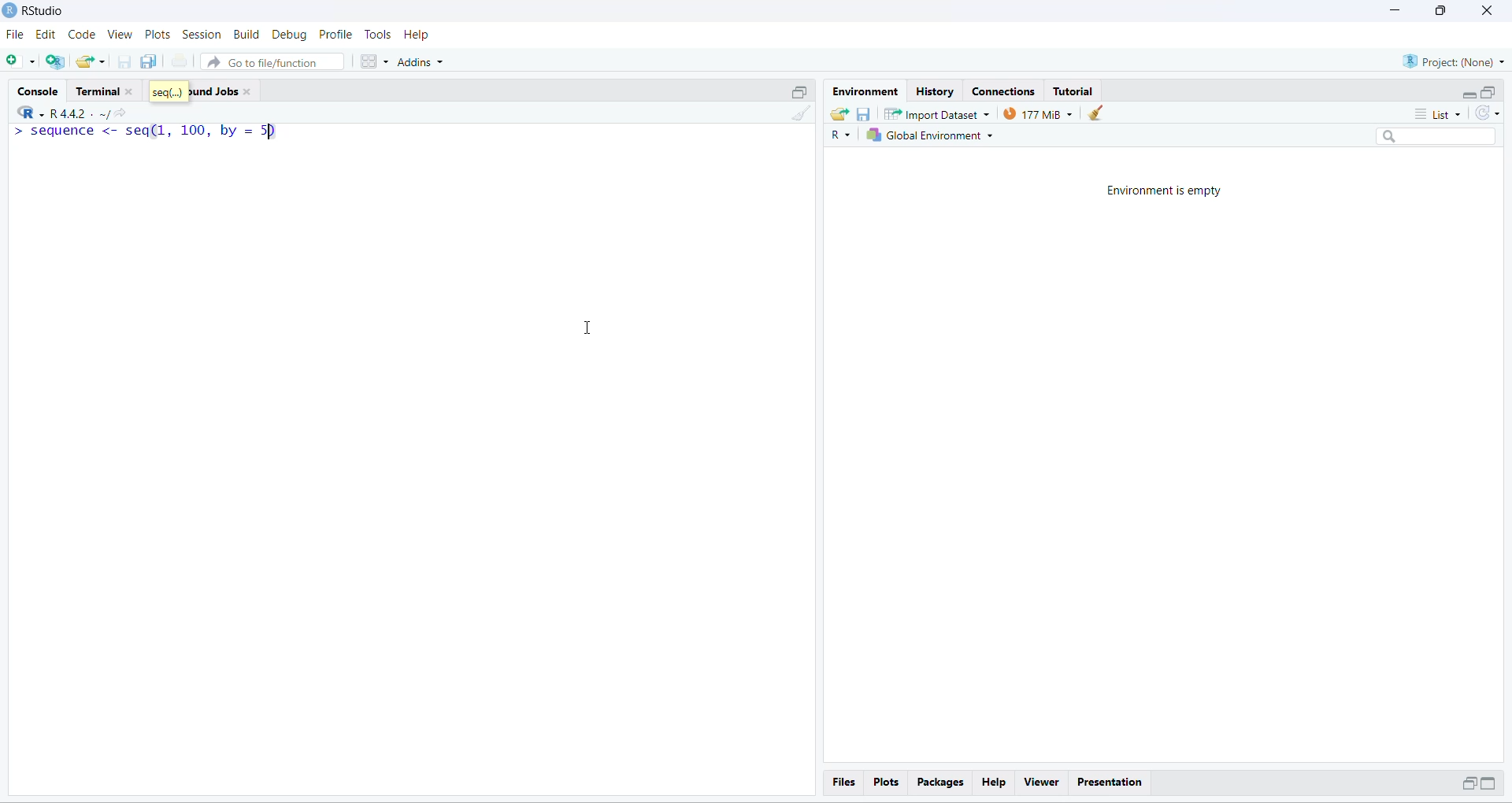 This screenshot has height=803, width=1512. What do you see at coordinates (122, 114) in the screenshot?
I see `share icon` at bounding box center [122, 114].